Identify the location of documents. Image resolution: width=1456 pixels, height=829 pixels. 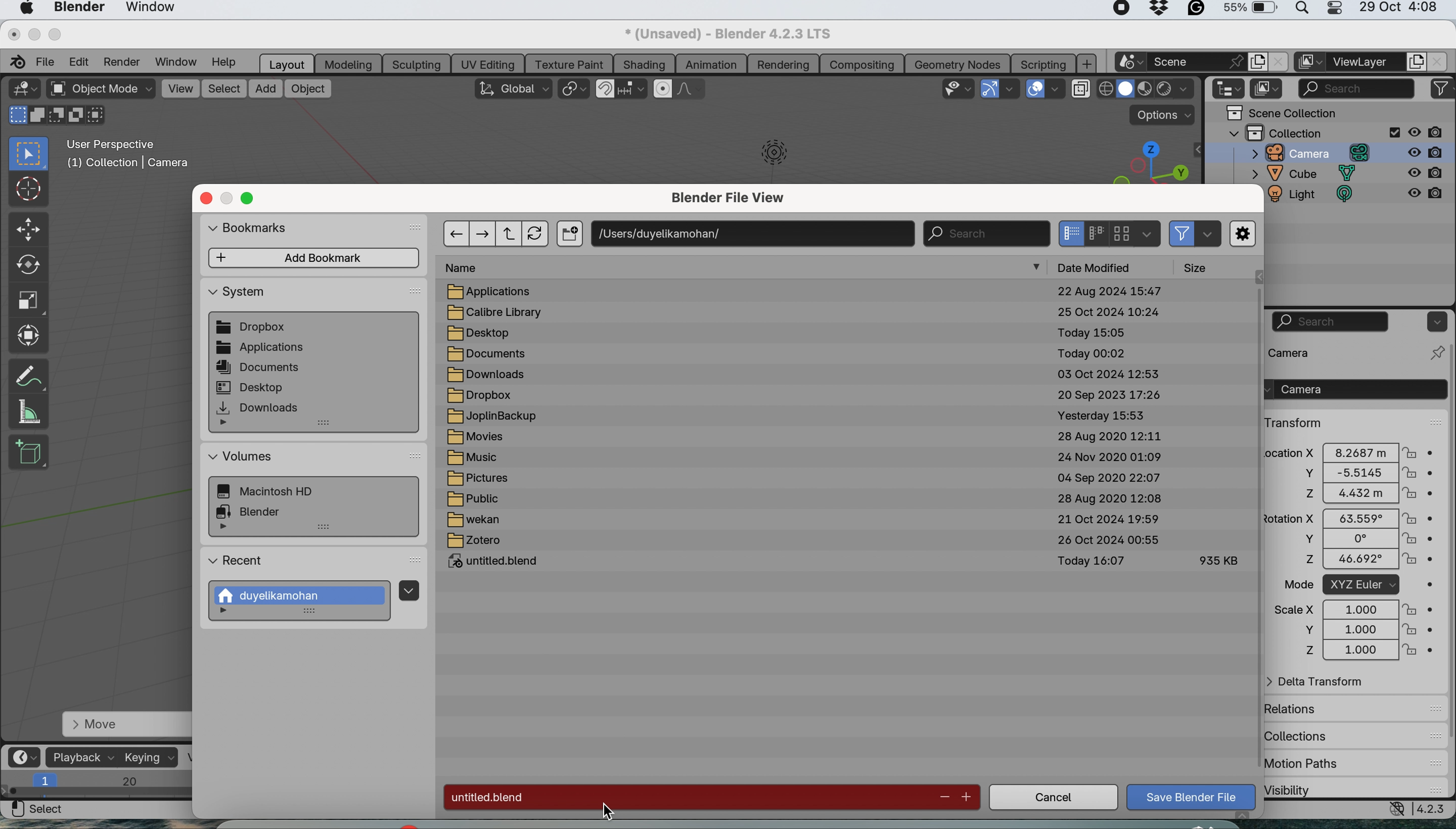
(260, 368).